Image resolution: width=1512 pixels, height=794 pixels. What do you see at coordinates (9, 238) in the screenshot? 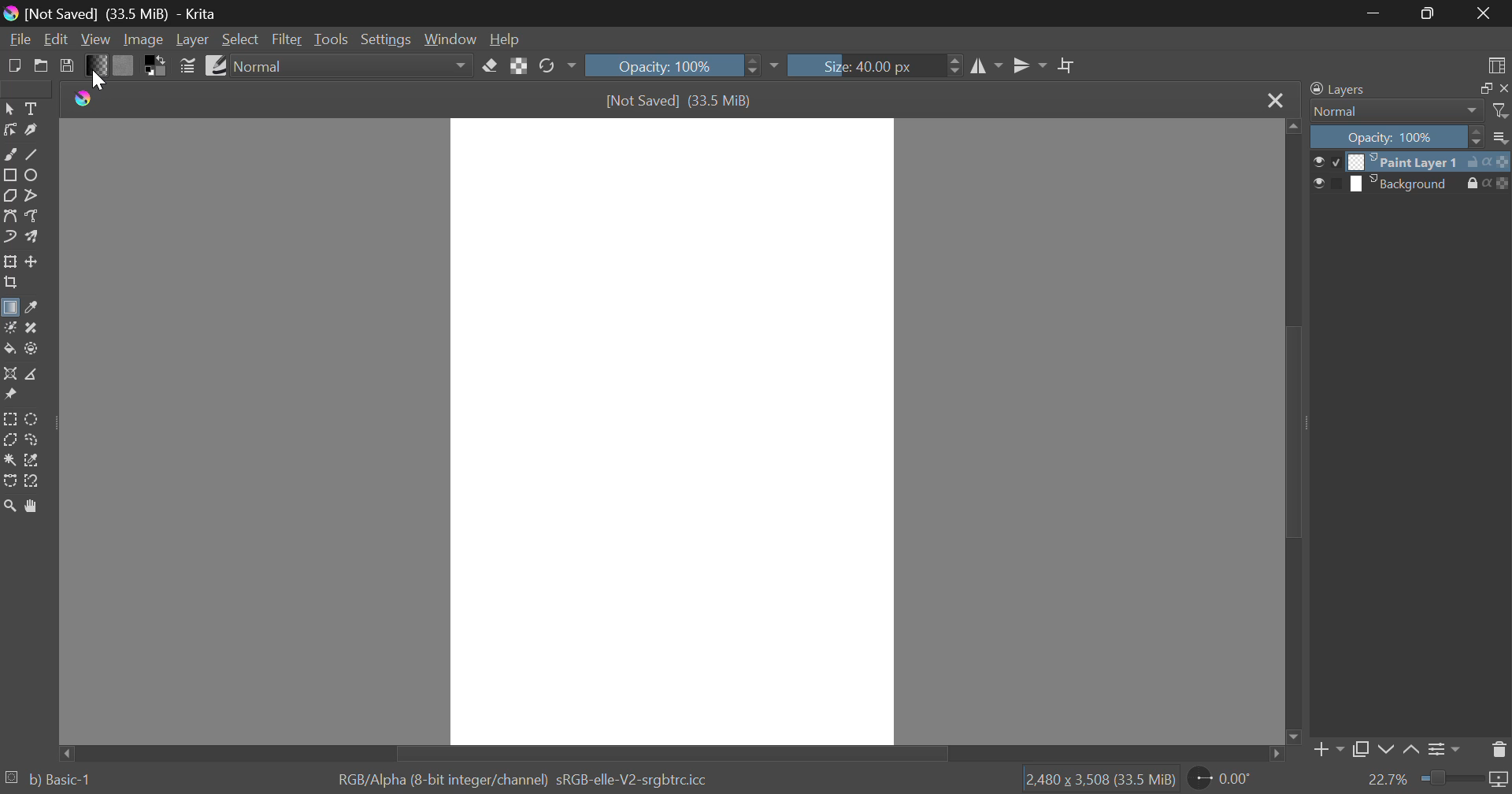
I see `Dynamic Brush Tool` at bounding box center [9, 238].